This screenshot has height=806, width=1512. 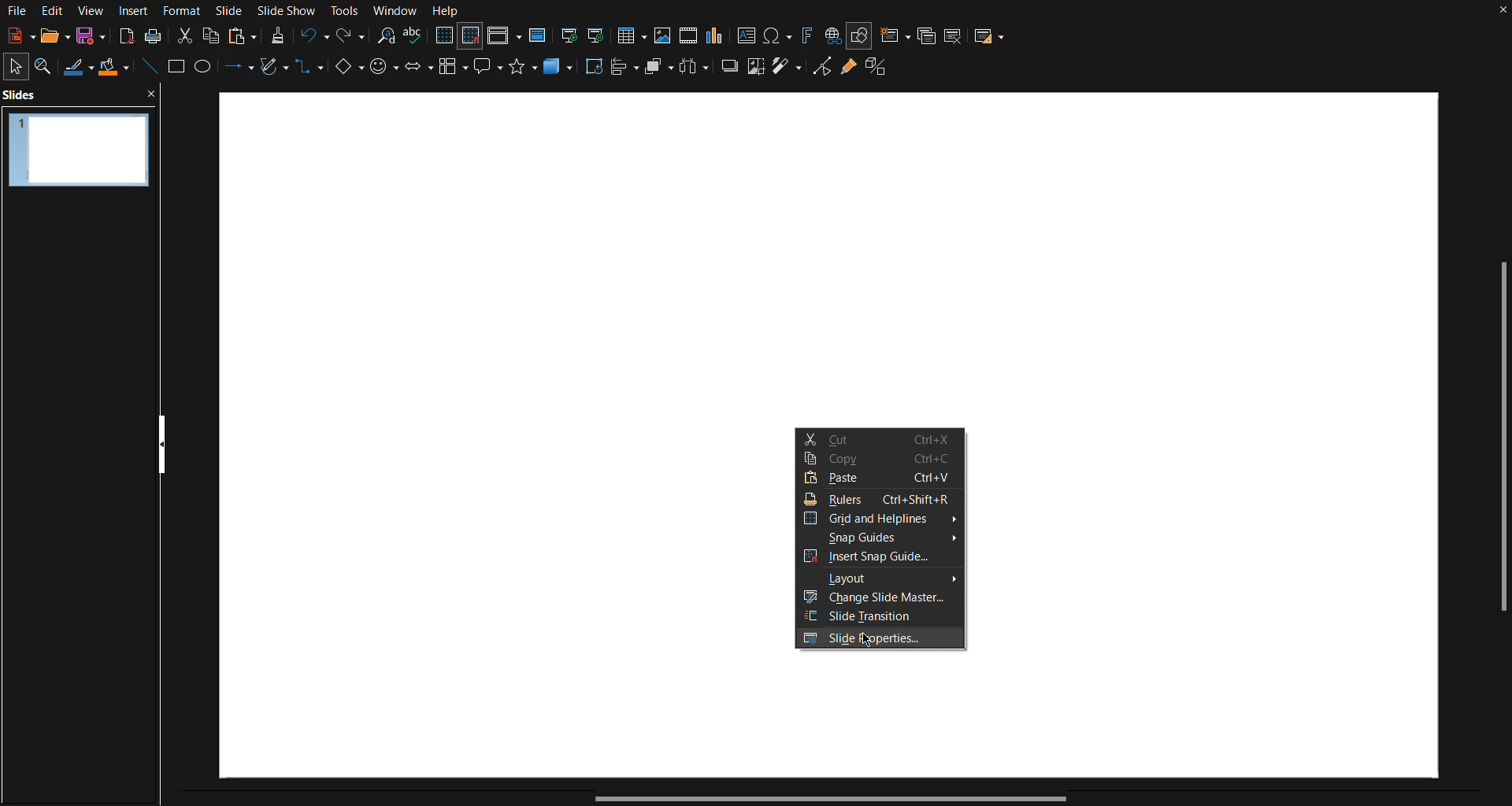 What do you see at coordinates (235, 70) in the screenshot?
I see `Lines and Arrows` at bounding box center [235, 70].